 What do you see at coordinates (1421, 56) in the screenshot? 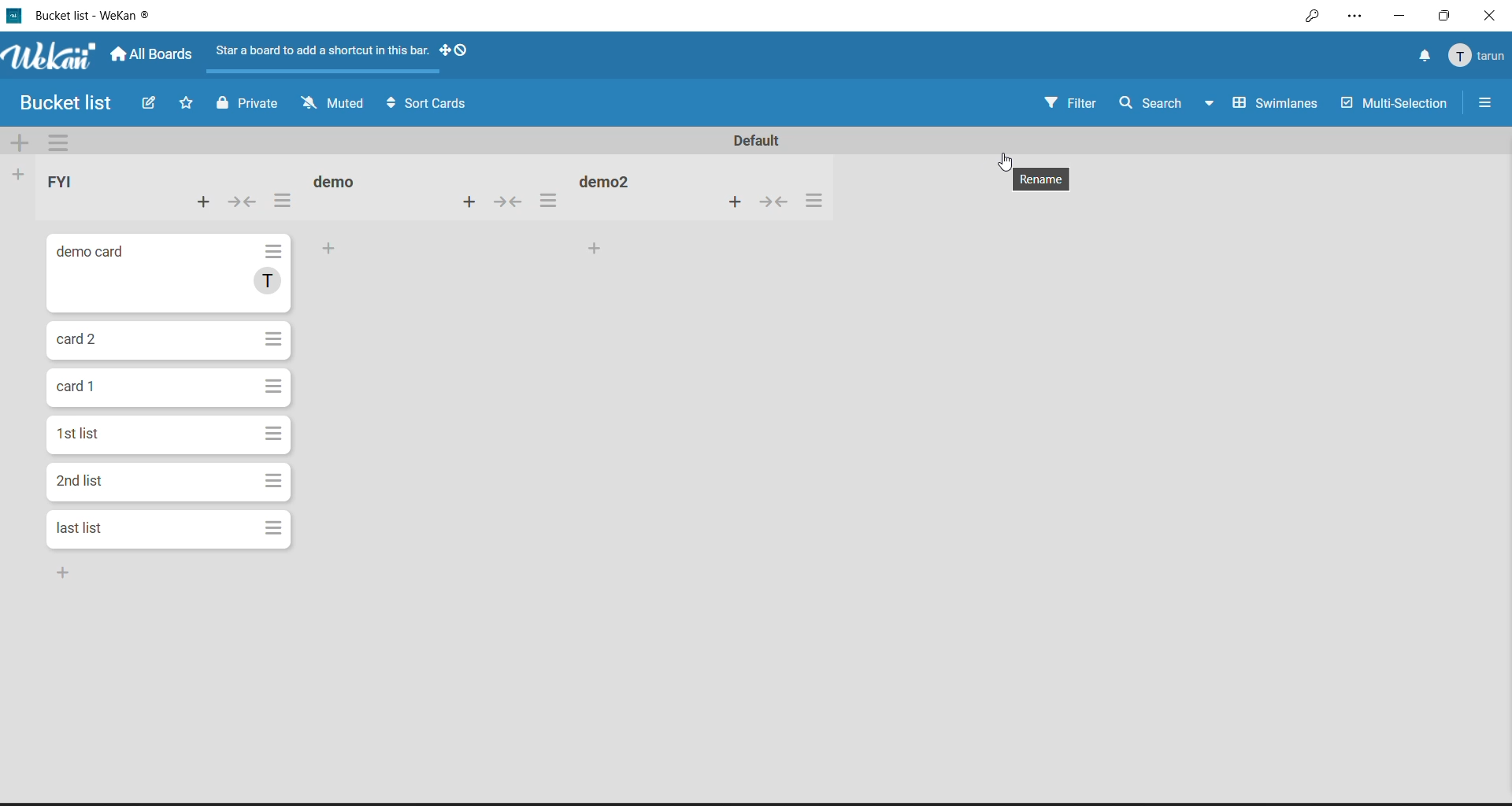
I see `notifications` at bounding box center [1421, 56].